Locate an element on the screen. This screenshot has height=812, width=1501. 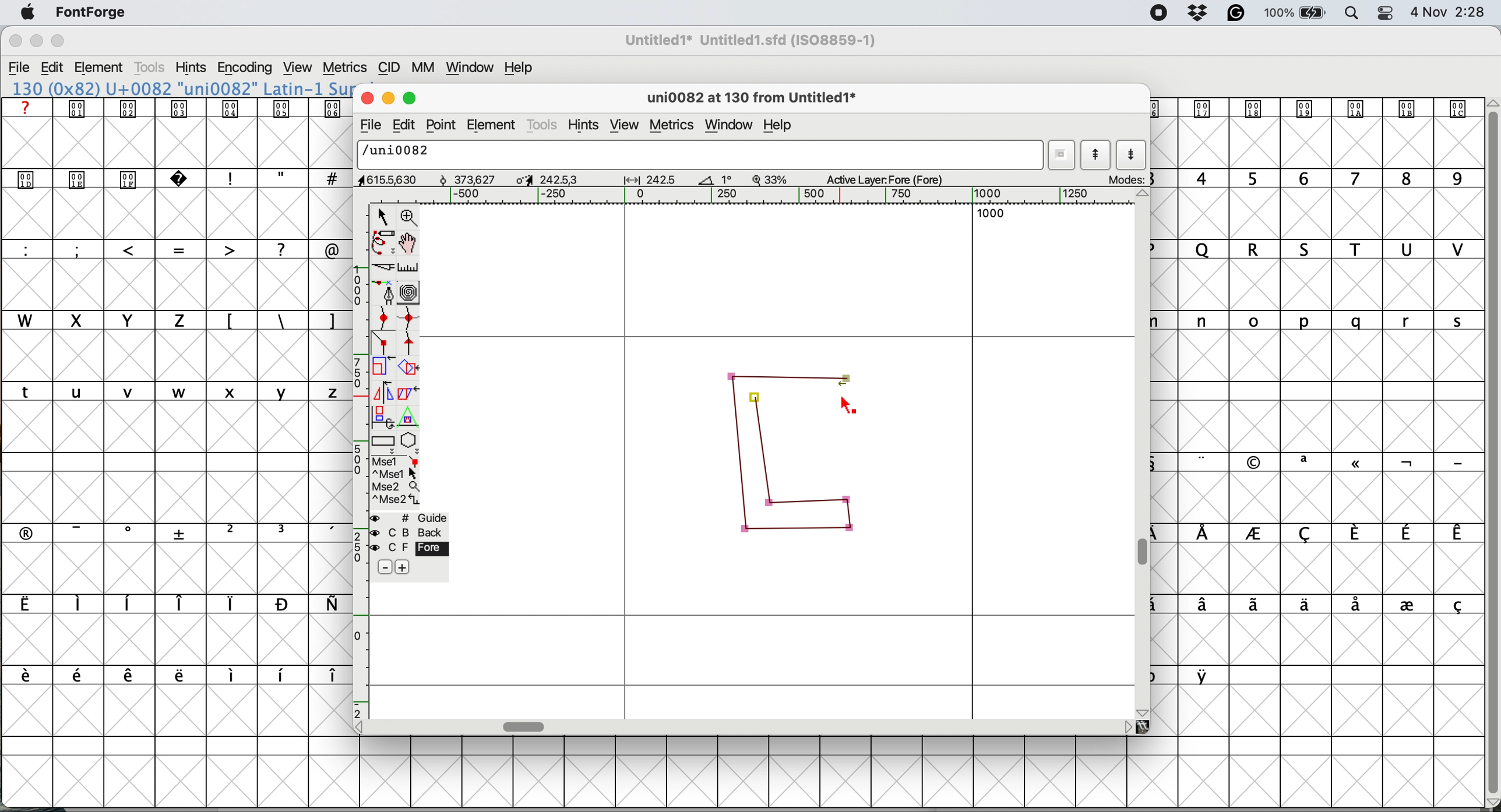
corner point connected is located at coordinates (821, 501).